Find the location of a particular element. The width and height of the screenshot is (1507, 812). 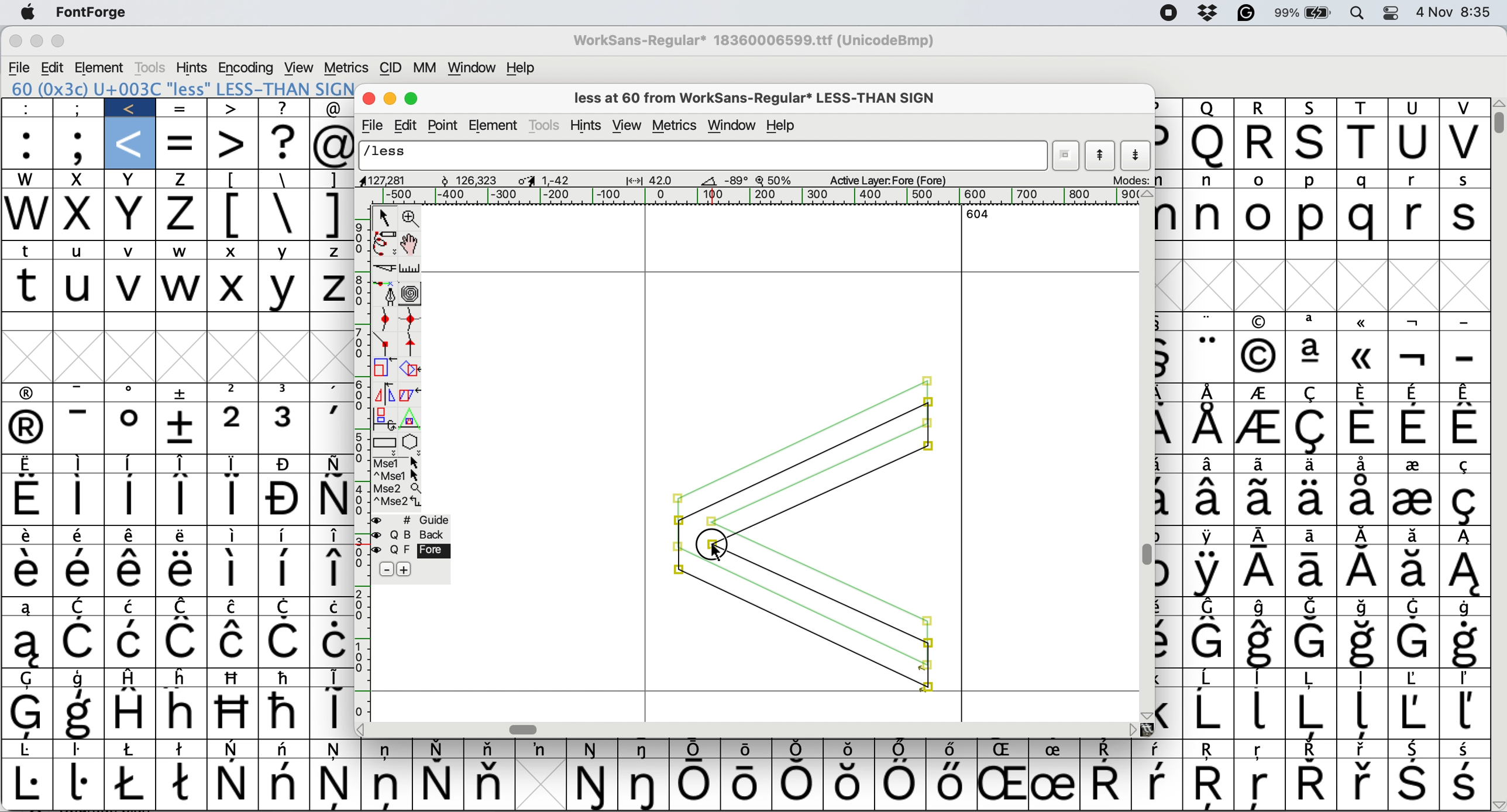

element is located at coordinates (100, 67).